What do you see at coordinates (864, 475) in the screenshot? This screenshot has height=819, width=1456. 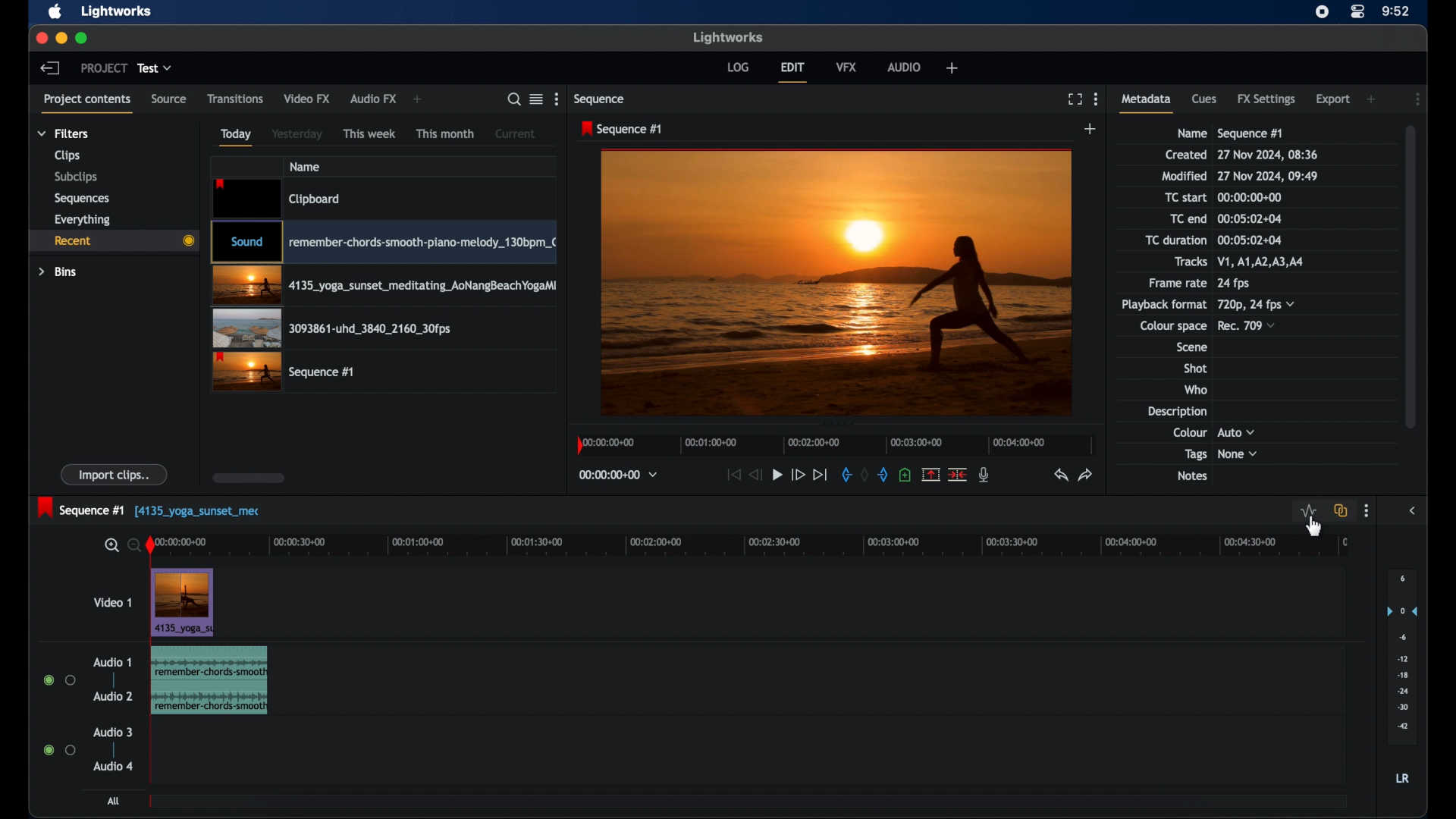 I see `clear marks` at bounding box center [864, 475].